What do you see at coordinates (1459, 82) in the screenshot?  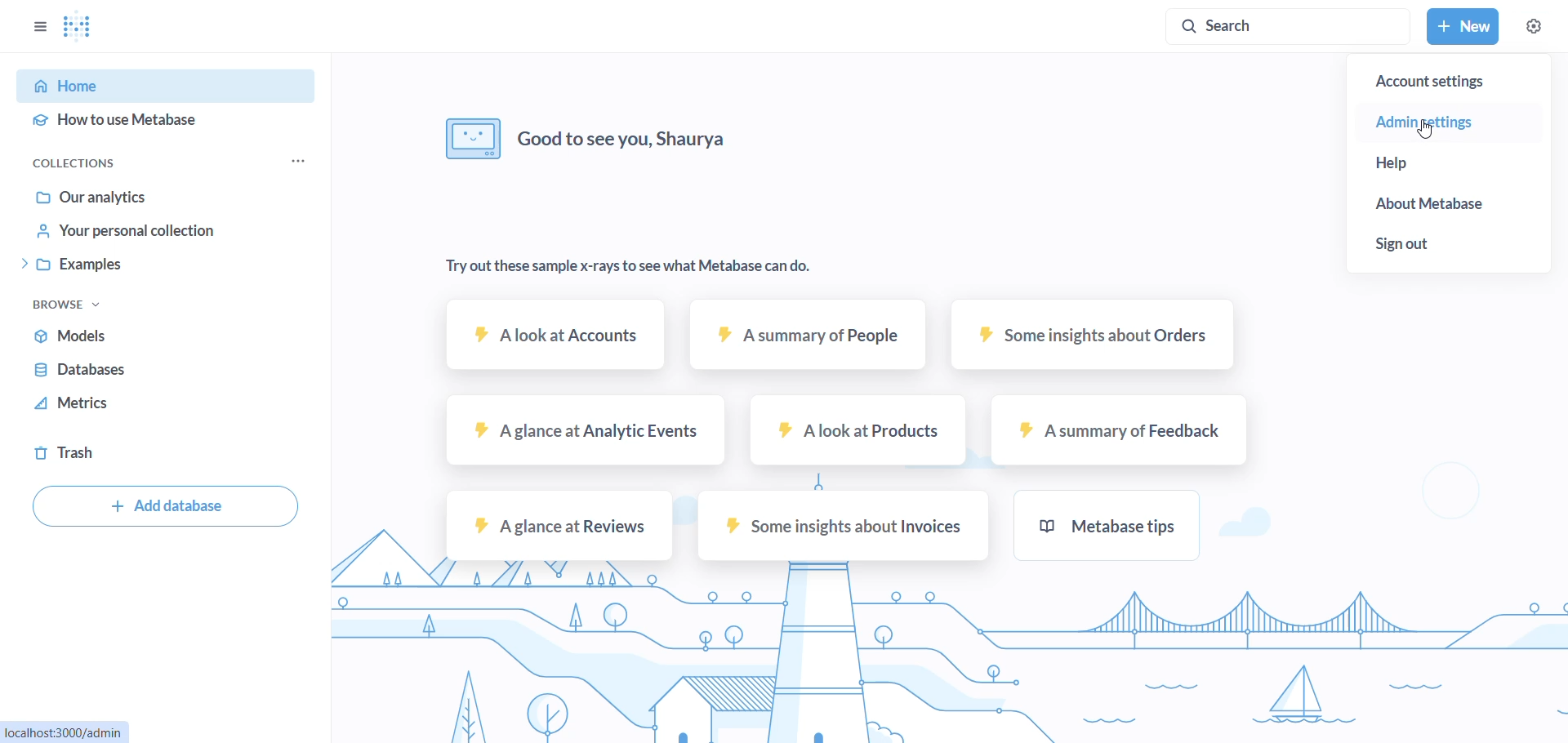 I see `account settings` at bounding box center [1459, 82].